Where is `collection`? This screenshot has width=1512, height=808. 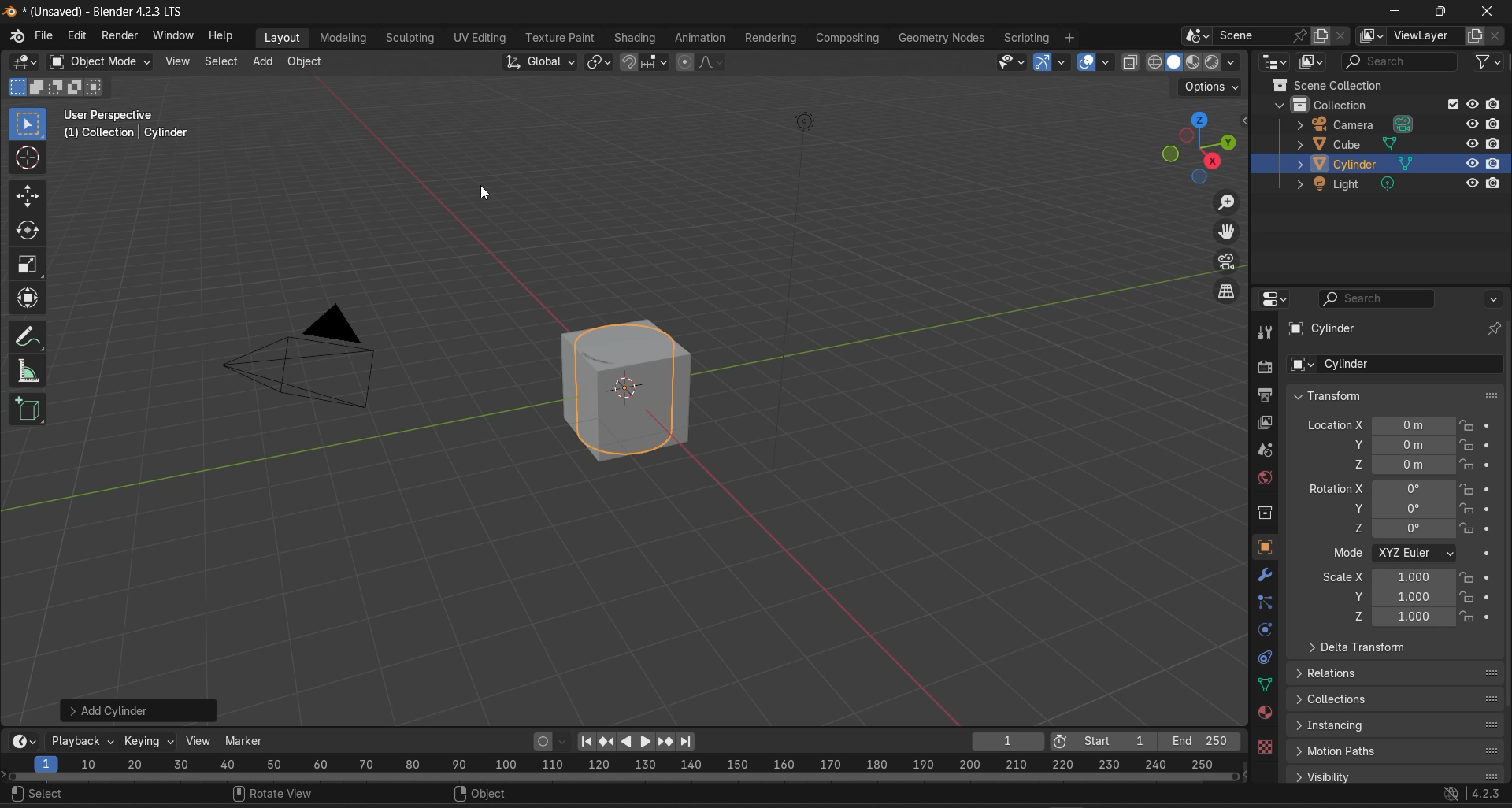
collection is located at coordinates (1340, 103).